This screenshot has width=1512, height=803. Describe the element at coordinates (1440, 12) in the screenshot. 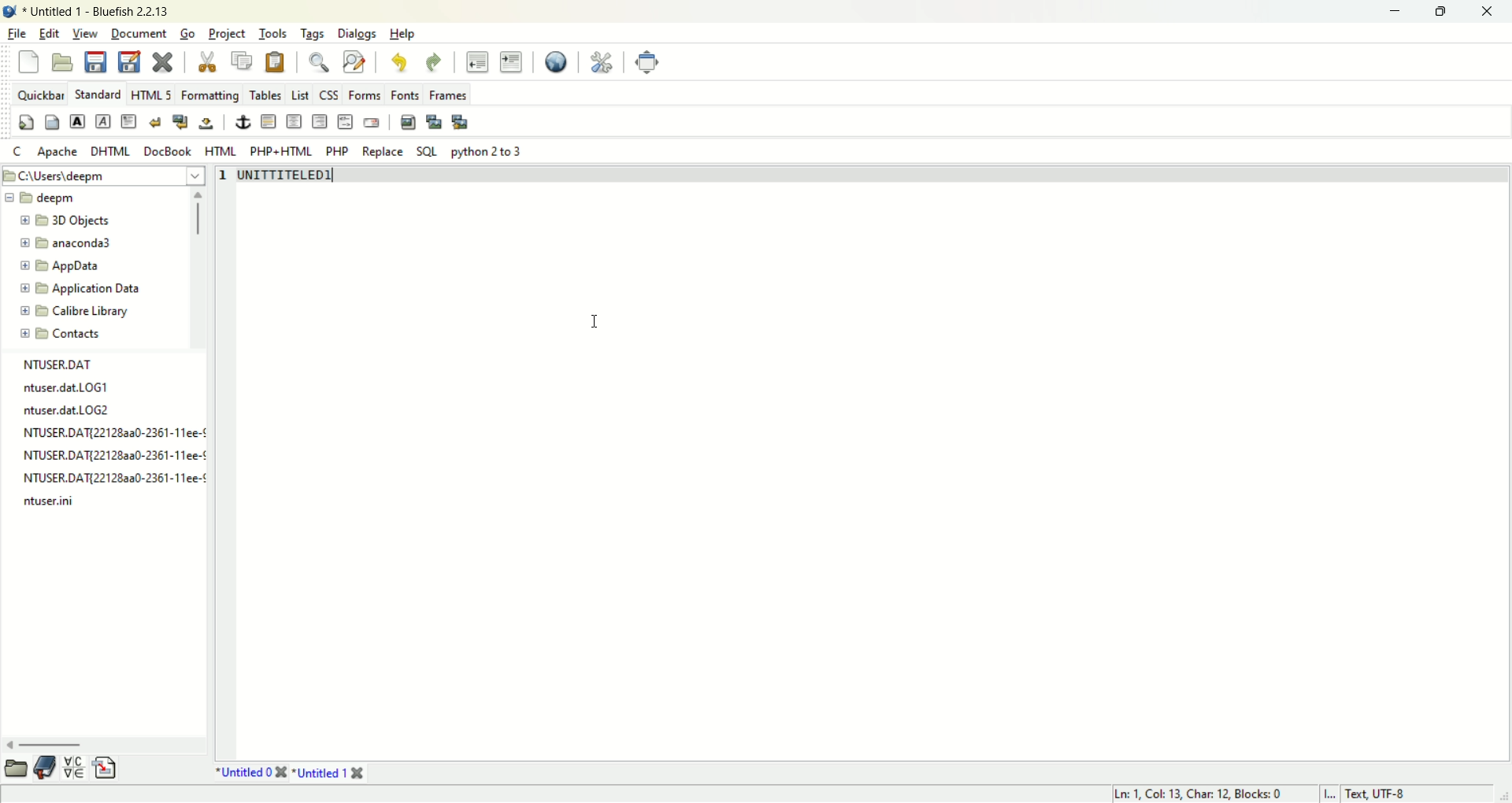

I see `maximize` at that location.